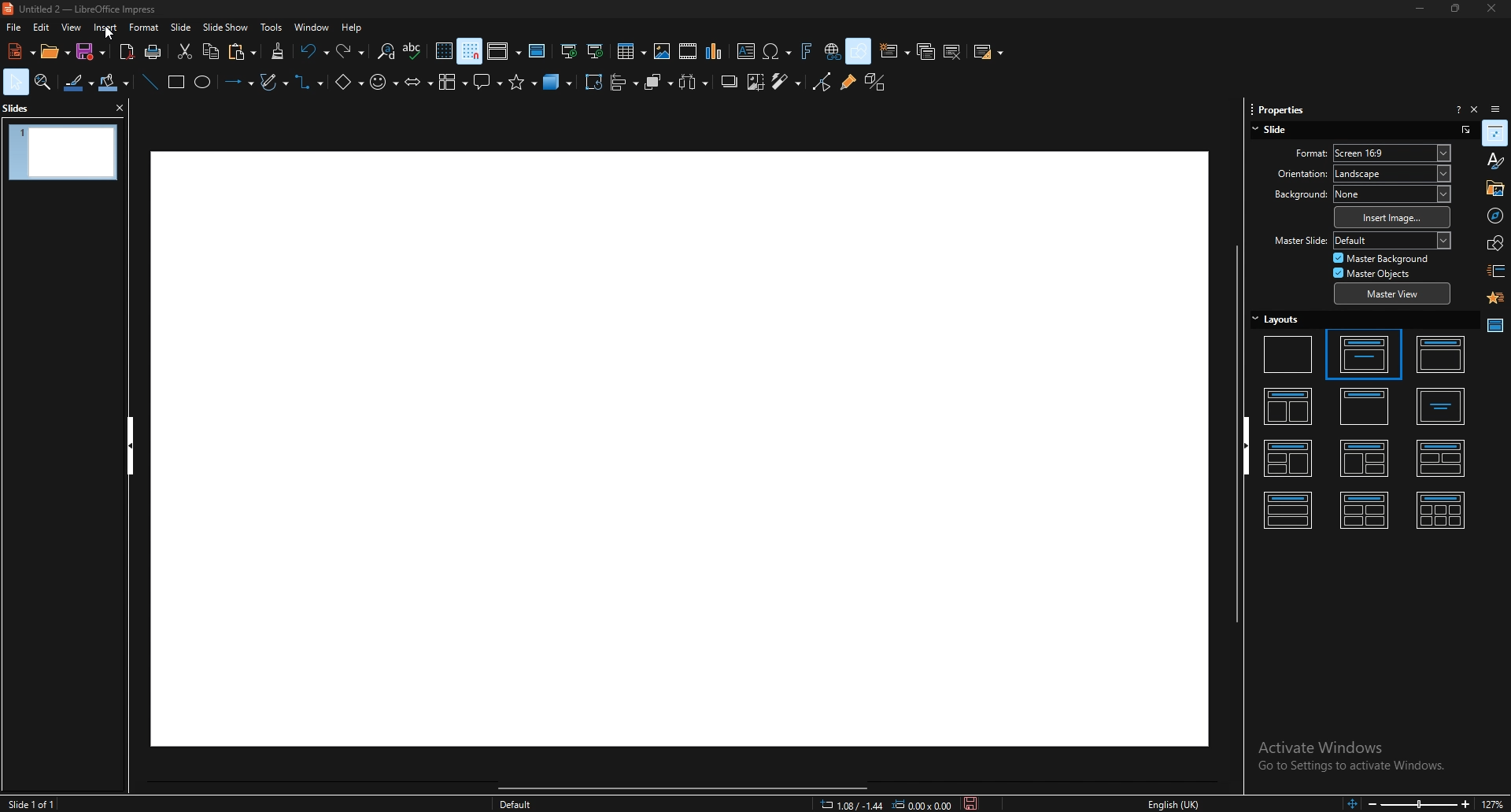 This screenshot has height=812, width=1511. Describe the element at coordinates (1496, 271) in the screenshot. I see `slide transition` at that location.